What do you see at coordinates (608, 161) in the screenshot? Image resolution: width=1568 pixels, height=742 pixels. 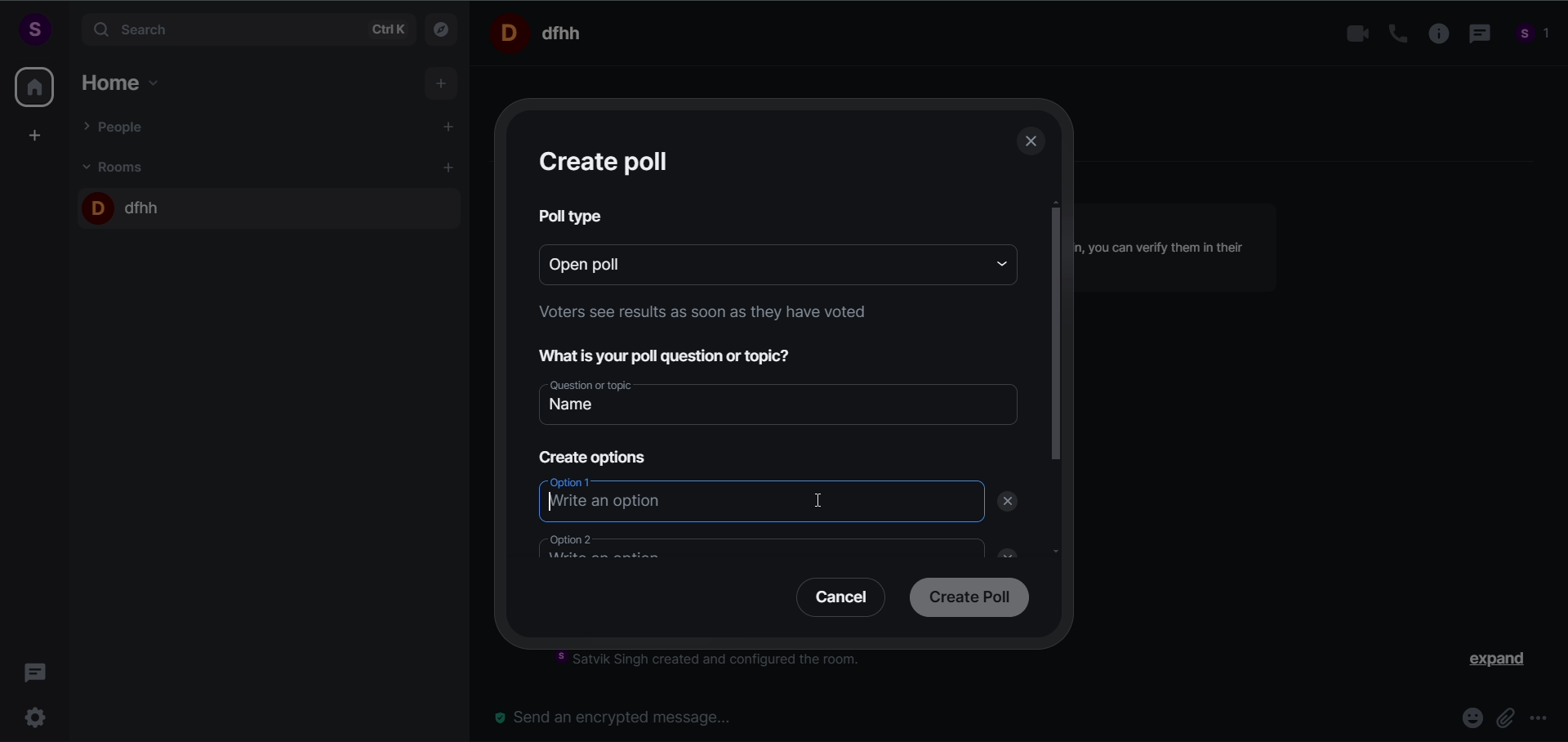 I see `create poll` at bounding box center [608, 161].